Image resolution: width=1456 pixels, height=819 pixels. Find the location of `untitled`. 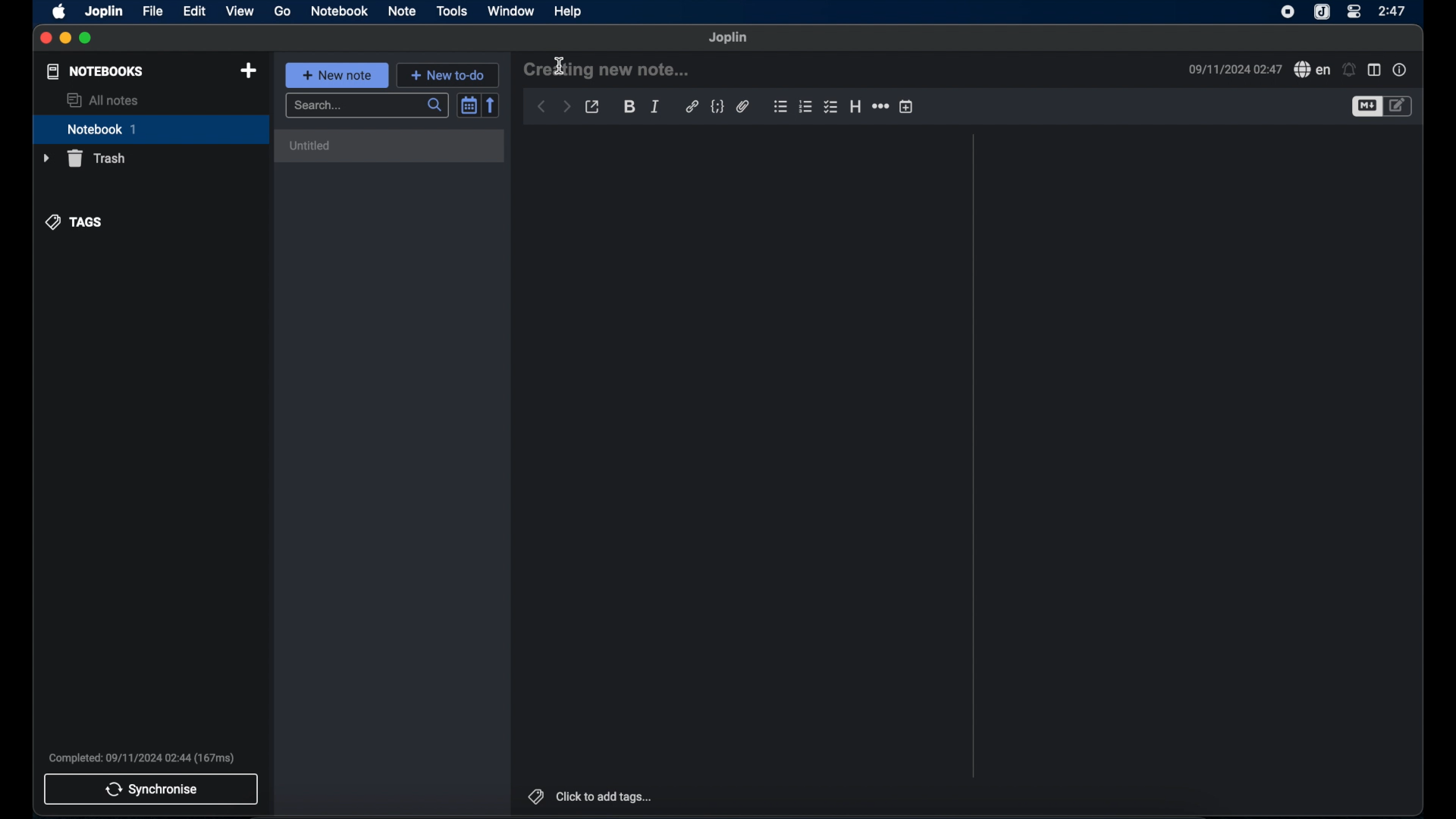

untitled is located at coordinates (391, 146).